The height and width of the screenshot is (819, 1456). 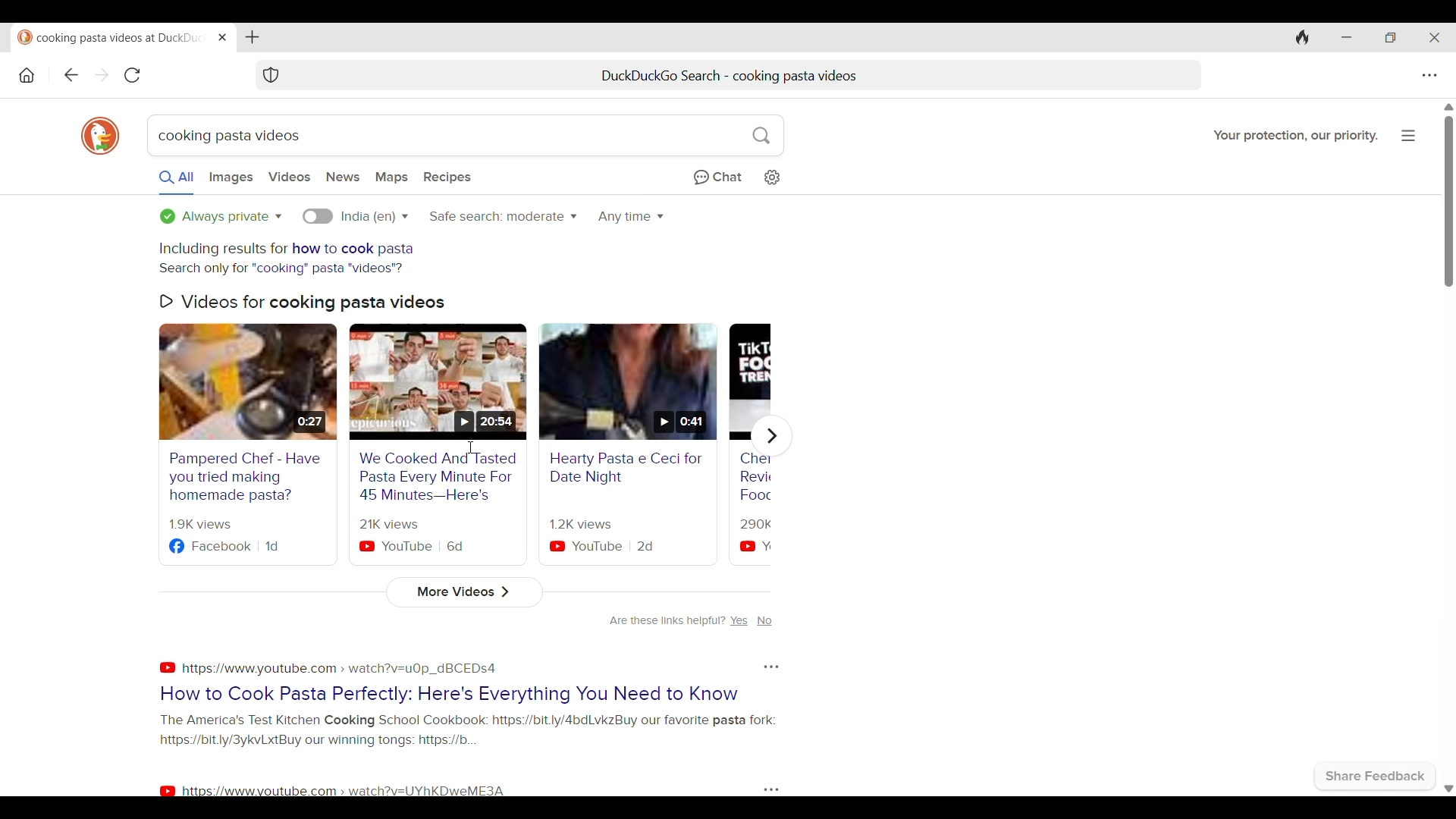 I want to click on Search results with maps only, so click(x=391, y=178).